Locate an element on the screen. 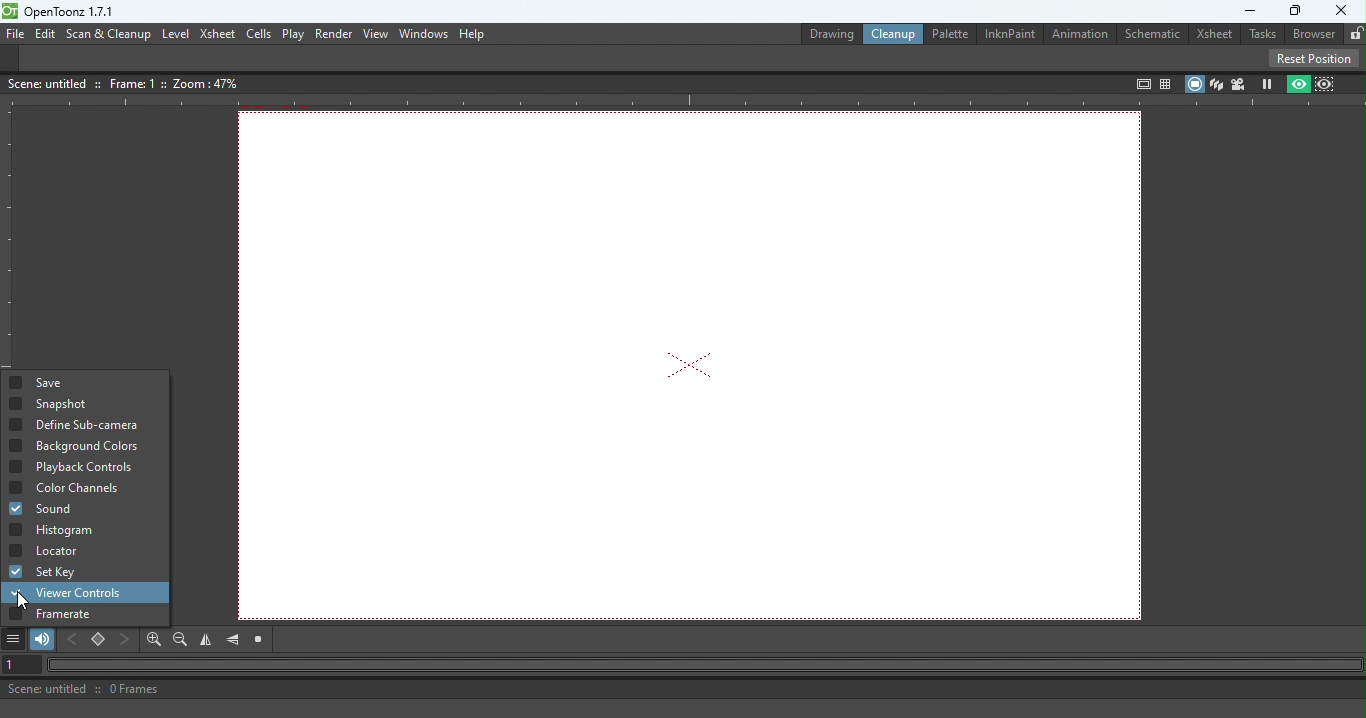 The image size is (1366, 718). Reset view is located at coordinates (256, 640).